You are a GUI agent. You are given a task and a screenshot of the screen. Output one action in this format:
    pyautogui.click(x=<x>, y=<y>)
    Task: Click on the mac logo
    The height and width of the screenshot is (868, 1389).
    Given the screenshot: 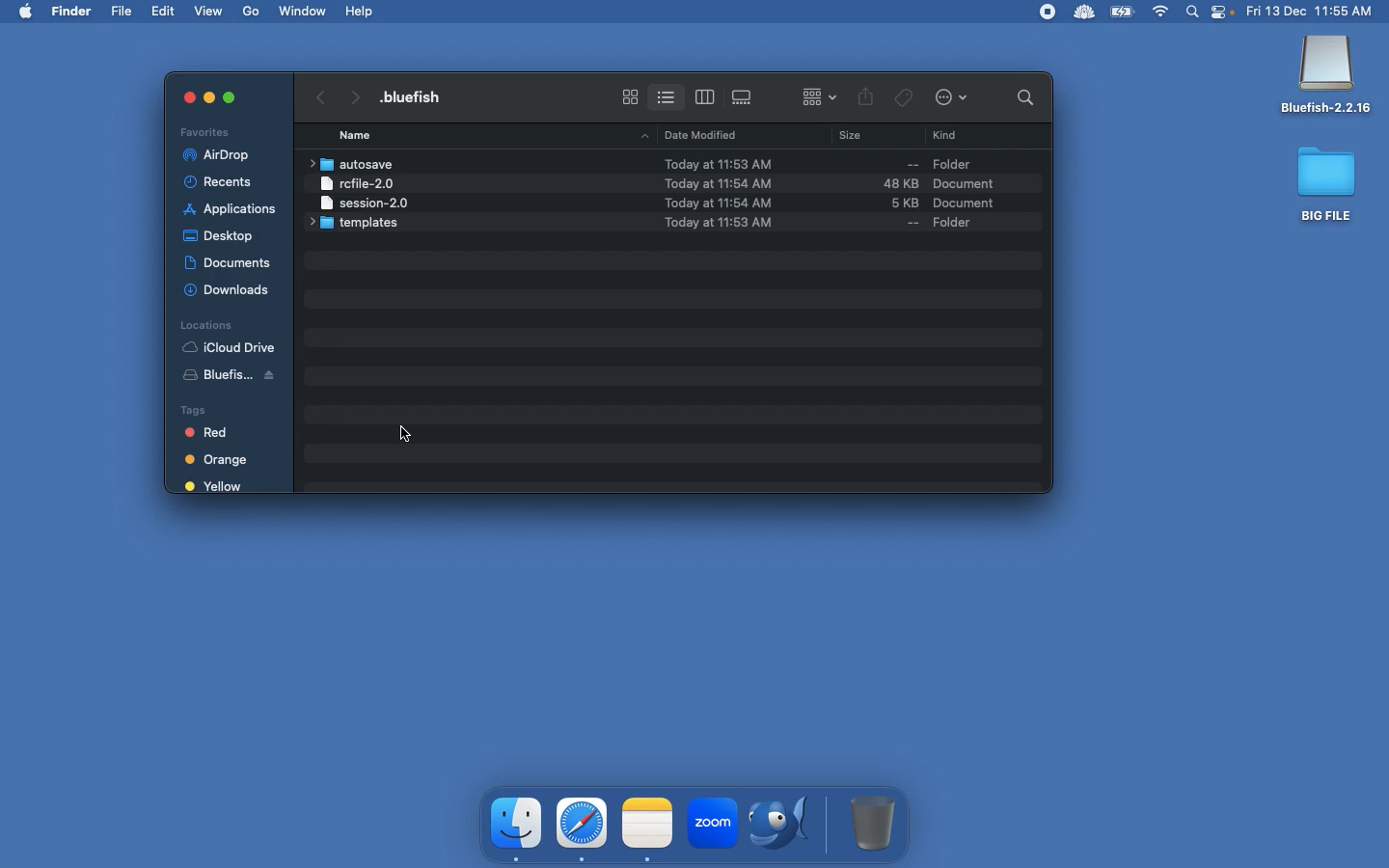 What is the action you would take?
    pyautogui.click(x=25, y=10)
    